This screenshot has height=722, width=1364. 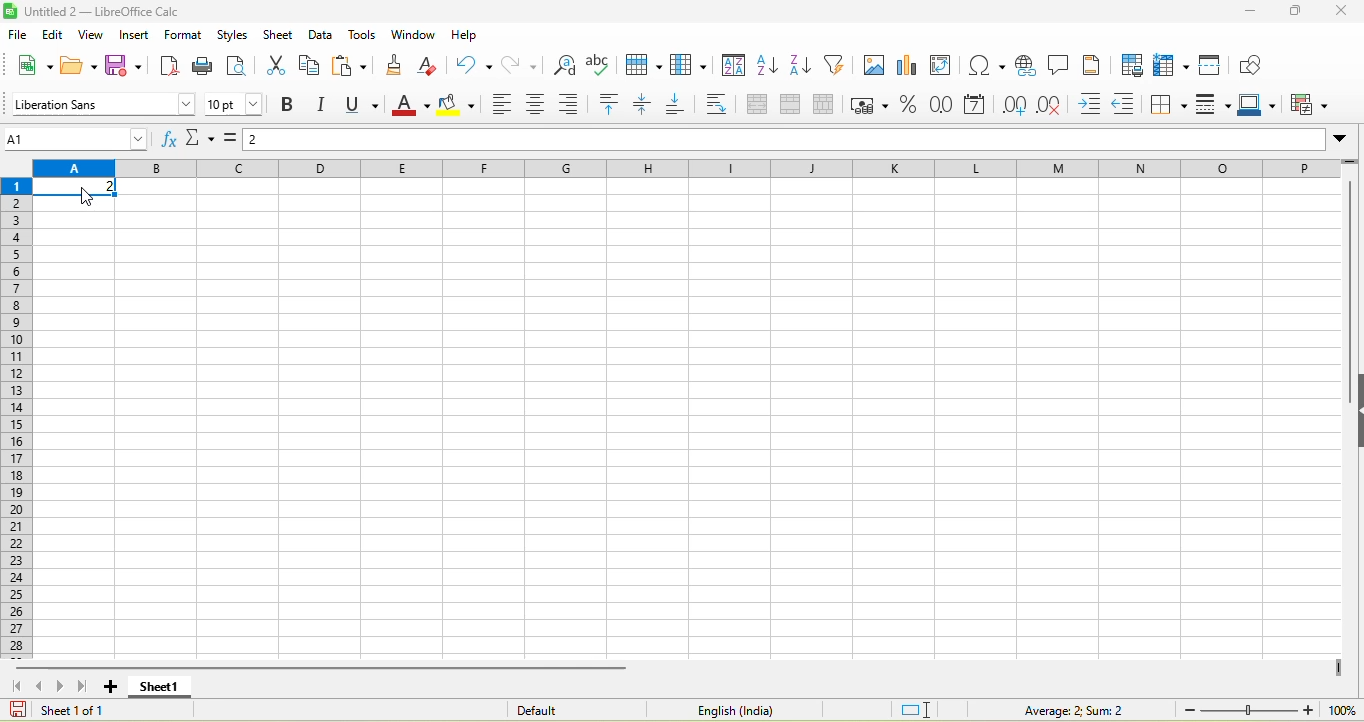 I want to click on italics, so click(x=324, y=106).